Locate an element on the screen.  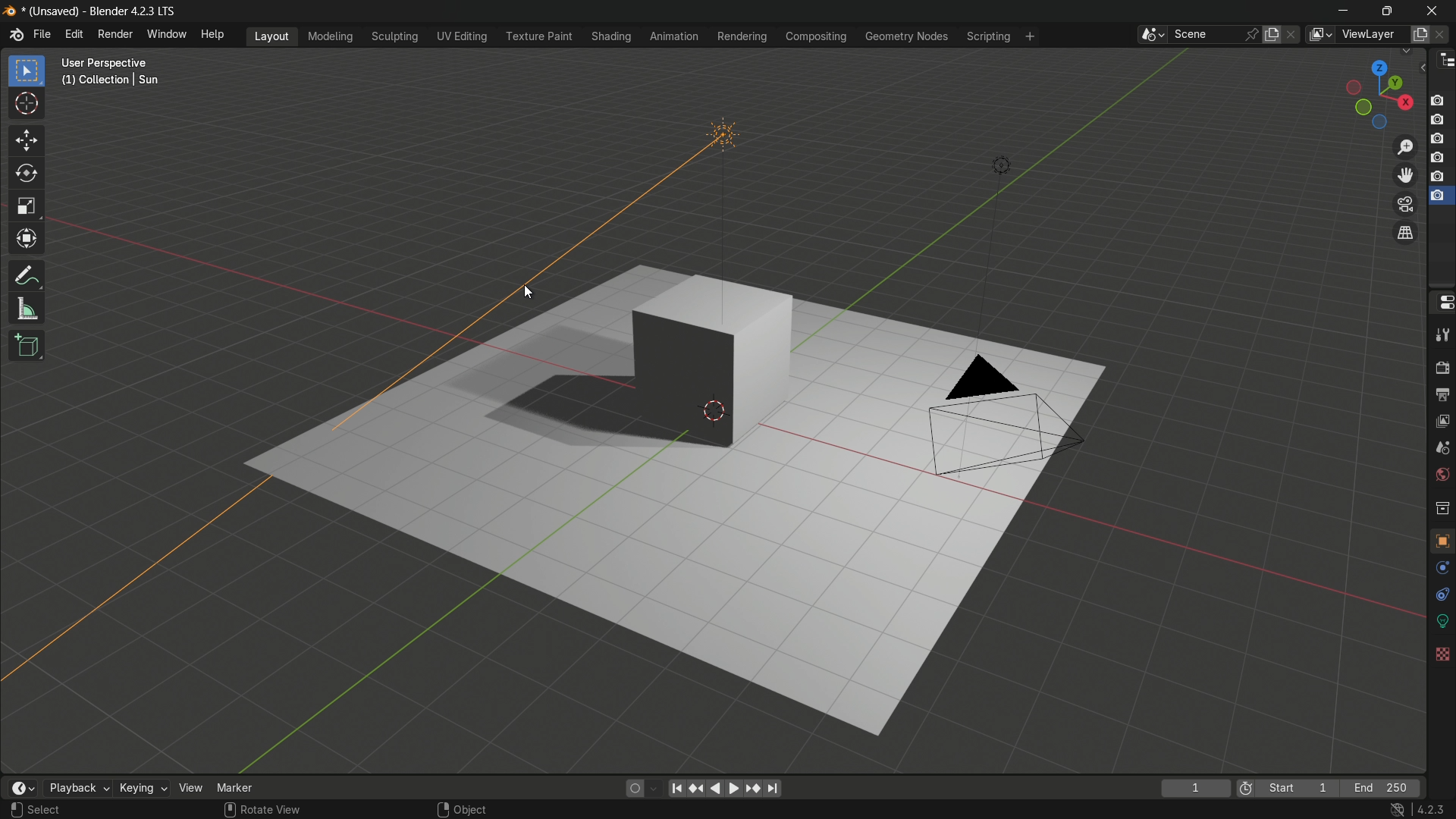
mouse scroll is located at coordinates (227, 809).